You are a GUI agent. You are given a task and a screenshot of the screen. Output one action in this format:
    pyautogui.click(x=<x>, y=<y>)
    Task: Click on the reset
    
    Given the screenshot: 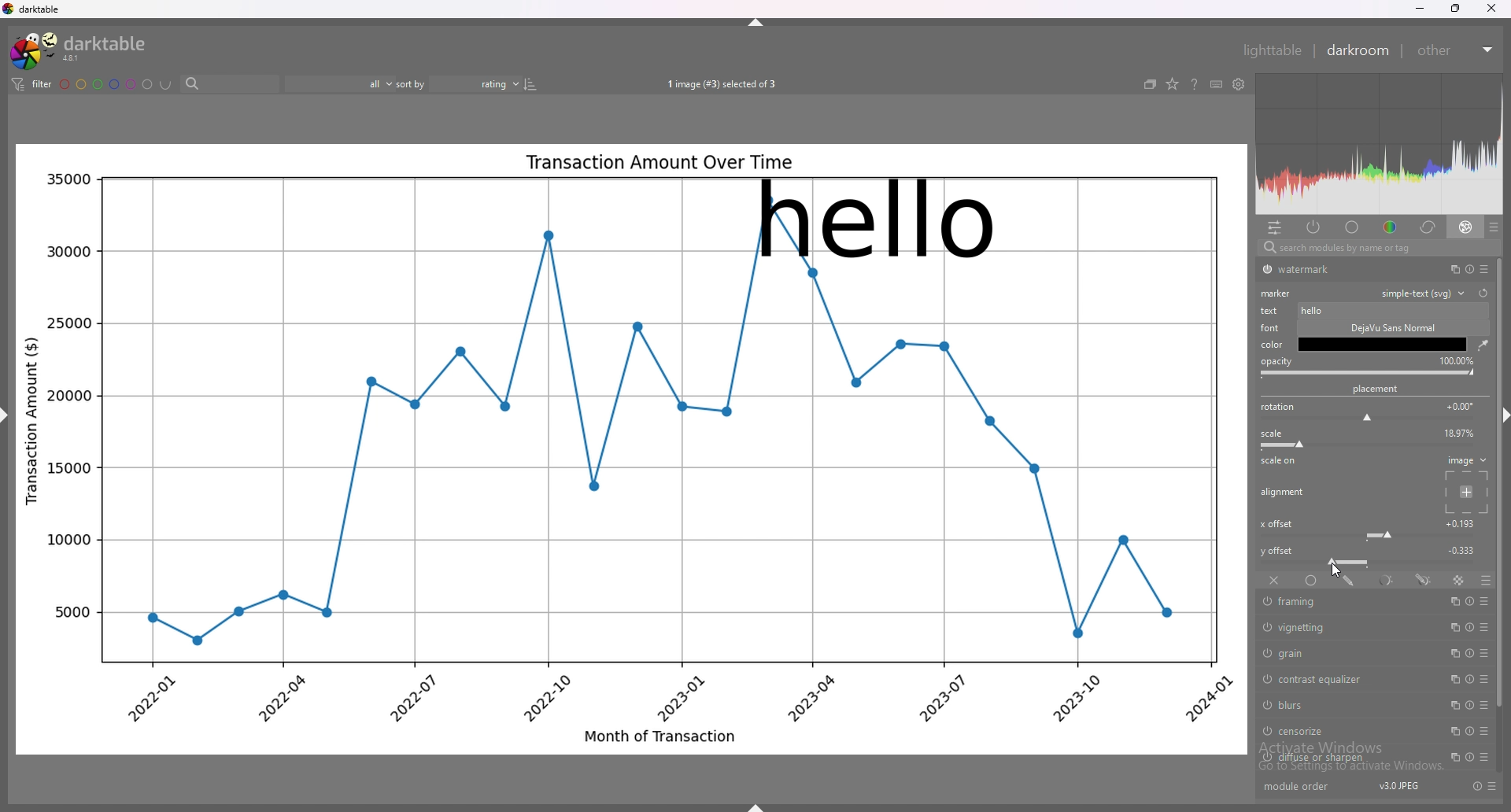 What is the action you would take?
    pyautogui.click(x=1466, y=756)
    